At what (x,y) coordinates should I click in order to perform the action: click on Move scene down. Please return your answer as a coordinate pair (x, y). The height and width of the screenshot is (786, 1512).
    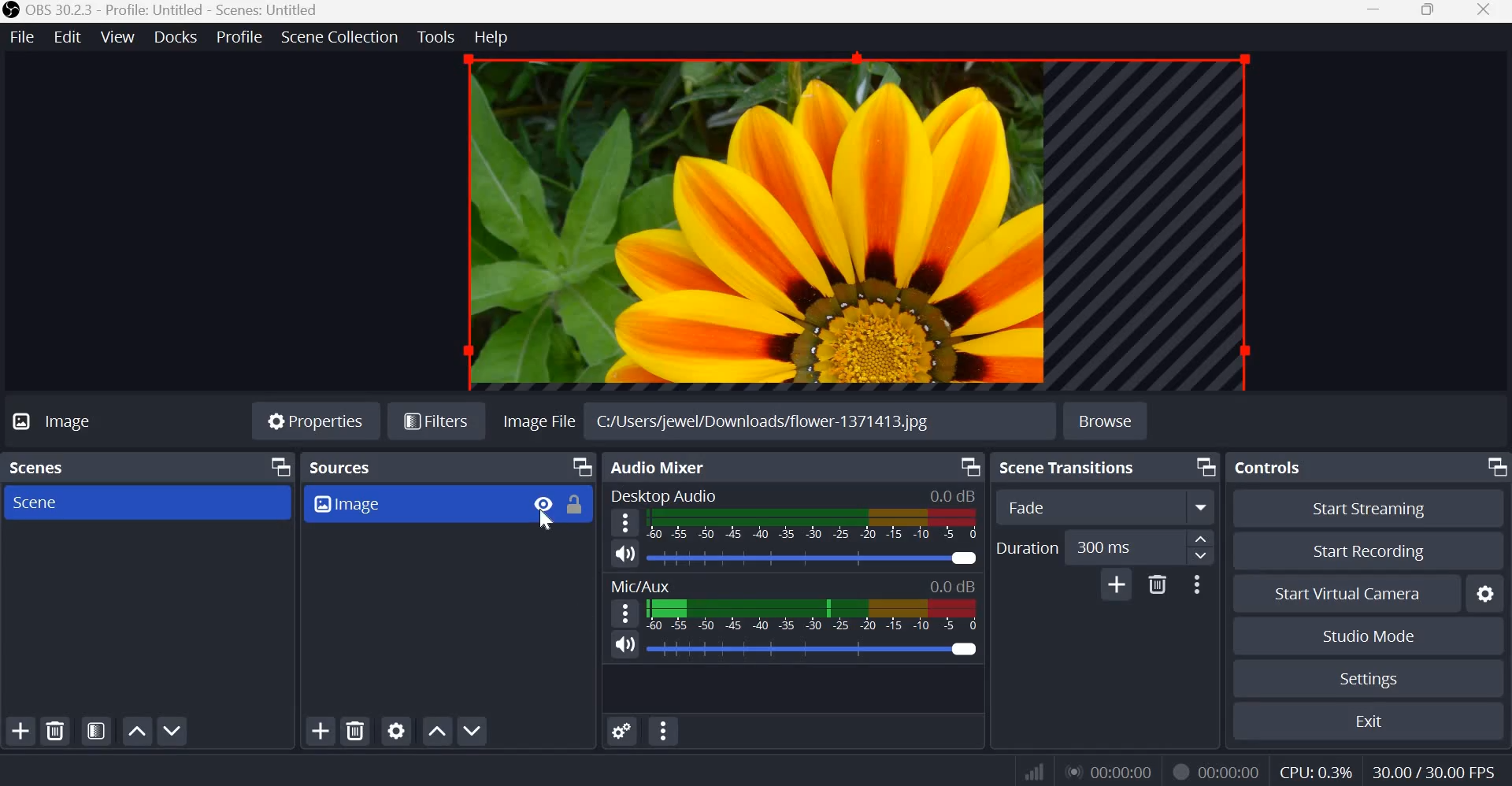
    Looking at the image, I should click on (172, 732).